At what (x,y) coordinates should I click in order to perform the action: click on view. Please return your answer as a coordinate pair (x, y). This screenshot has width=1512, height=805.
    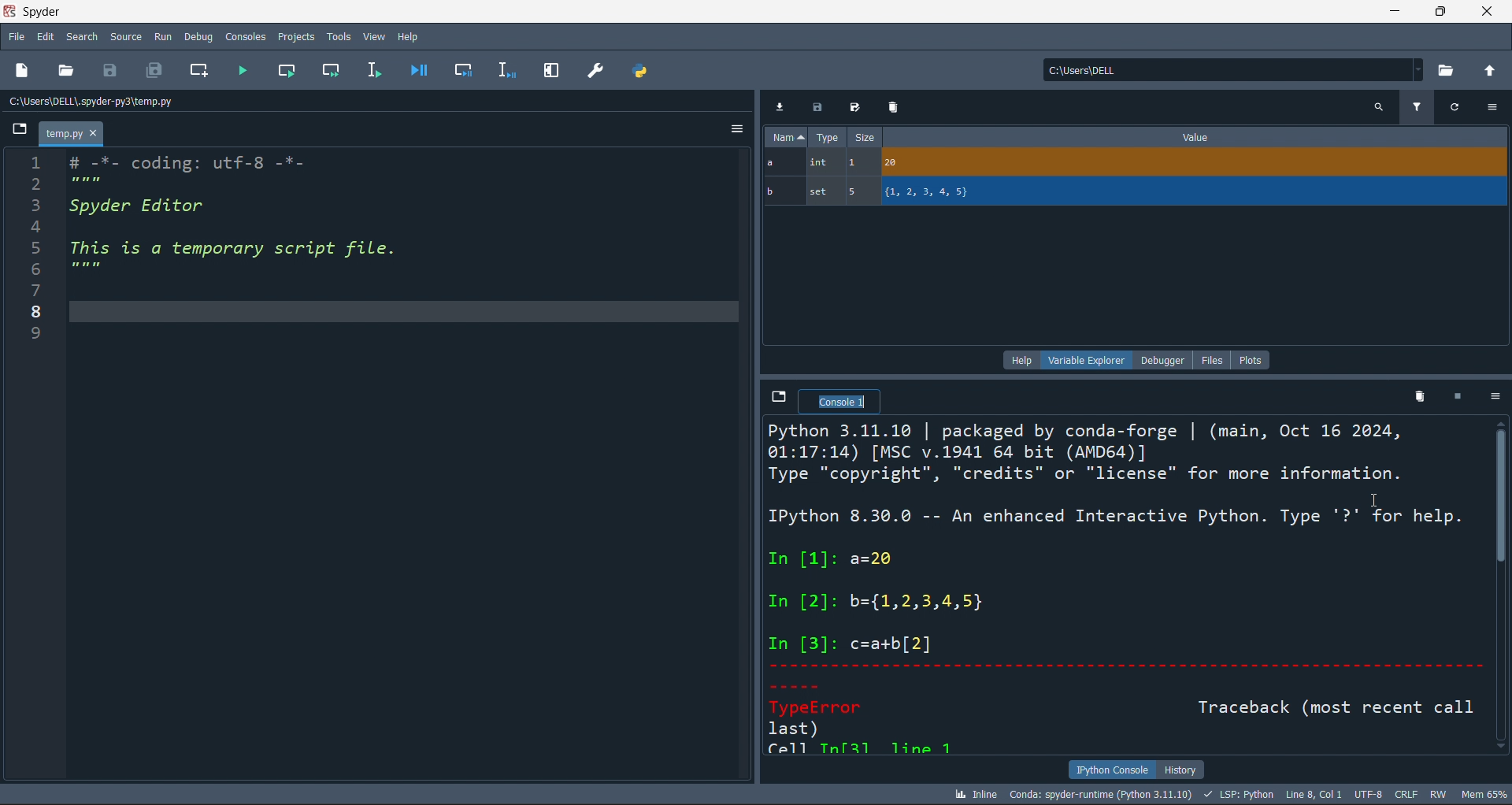
    Looking at the image, I should click on (373, 34).